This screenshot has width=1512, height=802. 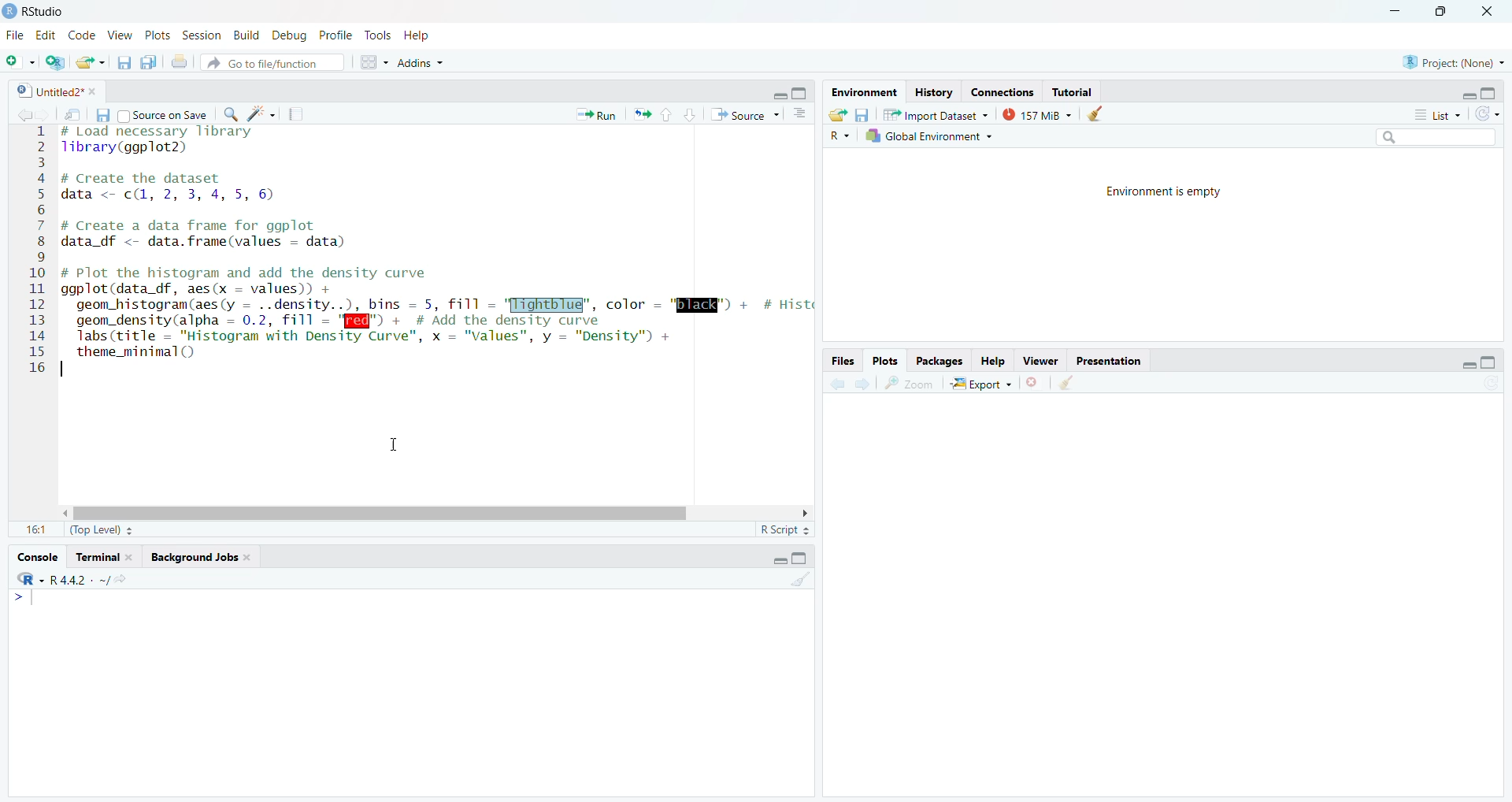 What do you see at coordinates (1002, 91) in the screenshot?
I see `Connections` at bounding box center [1002, 91].